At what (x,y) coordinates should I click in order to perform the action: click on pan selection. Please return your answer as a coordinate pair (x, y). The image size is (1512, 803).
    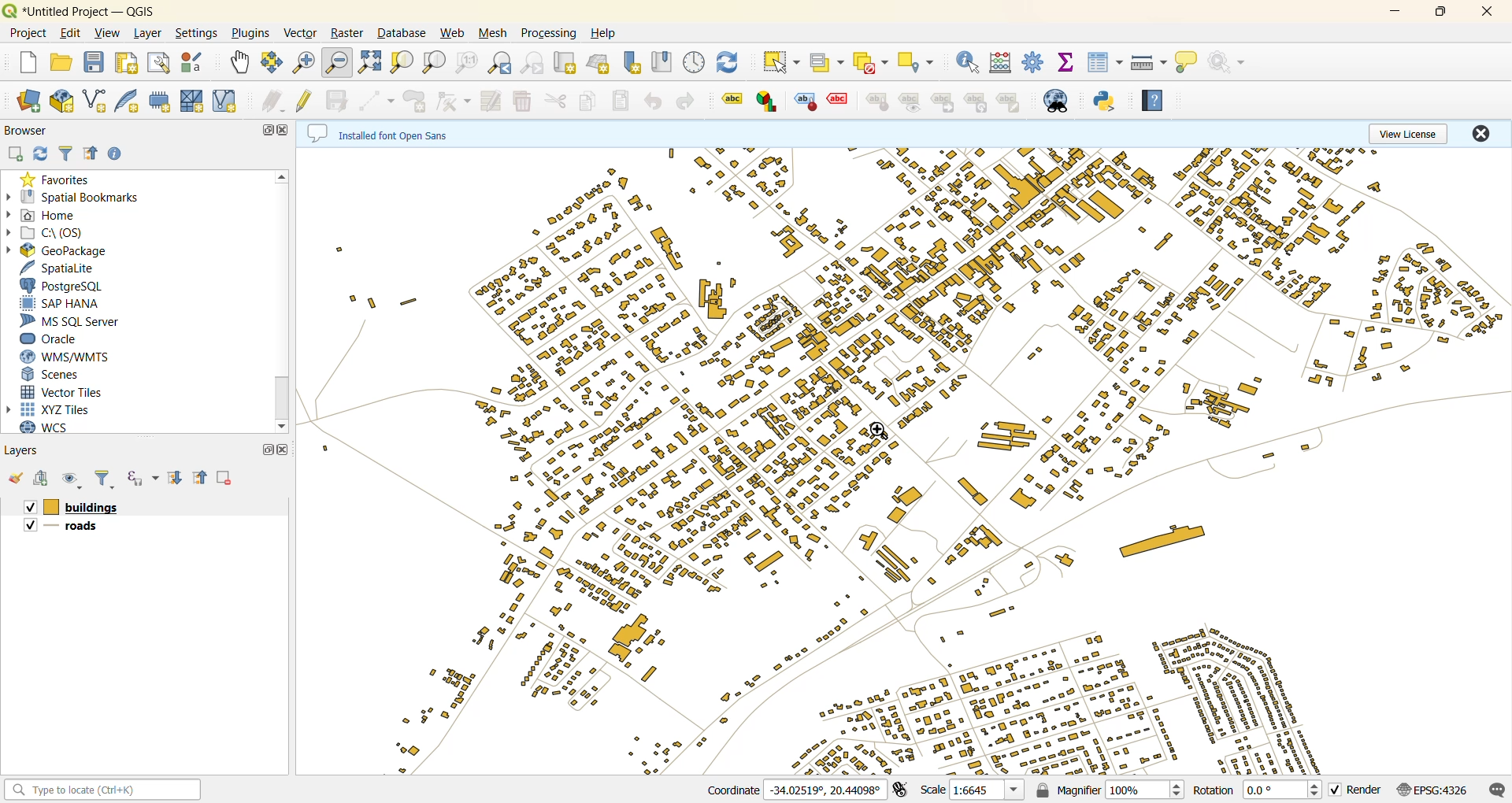
    Looking at the image, I should click on (269, 62).